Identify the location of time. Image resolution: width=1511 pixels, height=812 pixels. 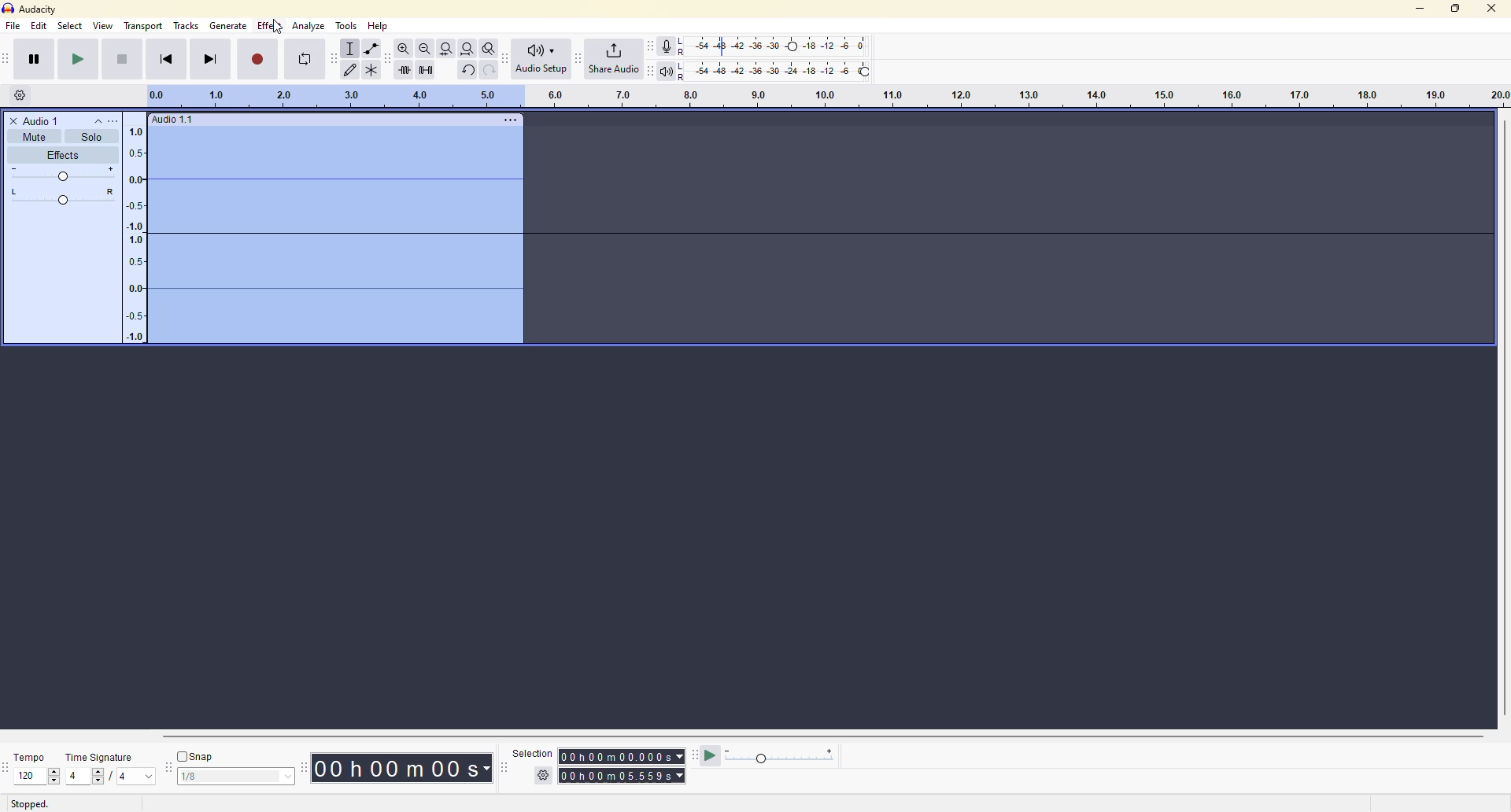
(625, 774).